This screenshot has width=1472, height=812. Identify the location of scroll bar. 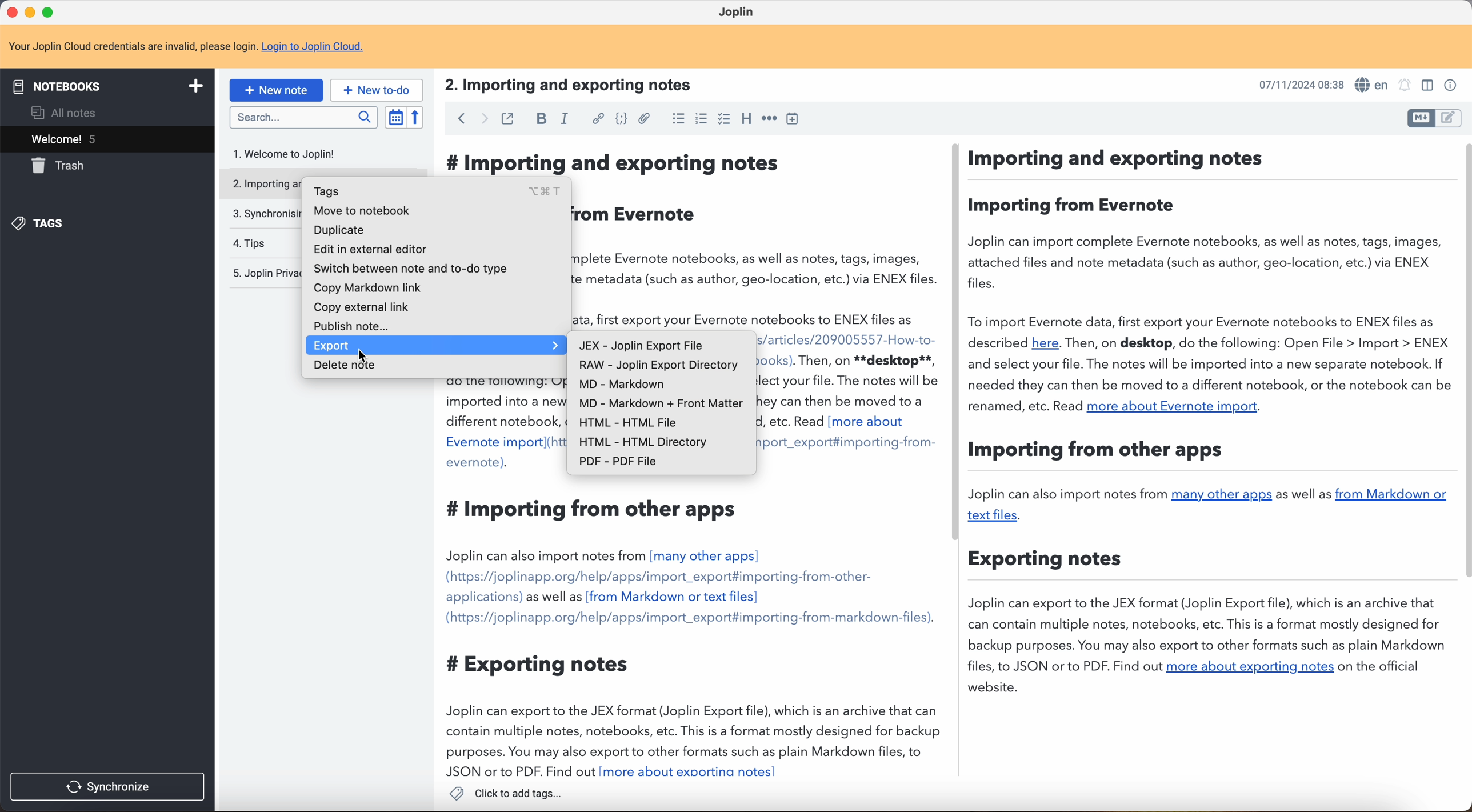
(958, 343).